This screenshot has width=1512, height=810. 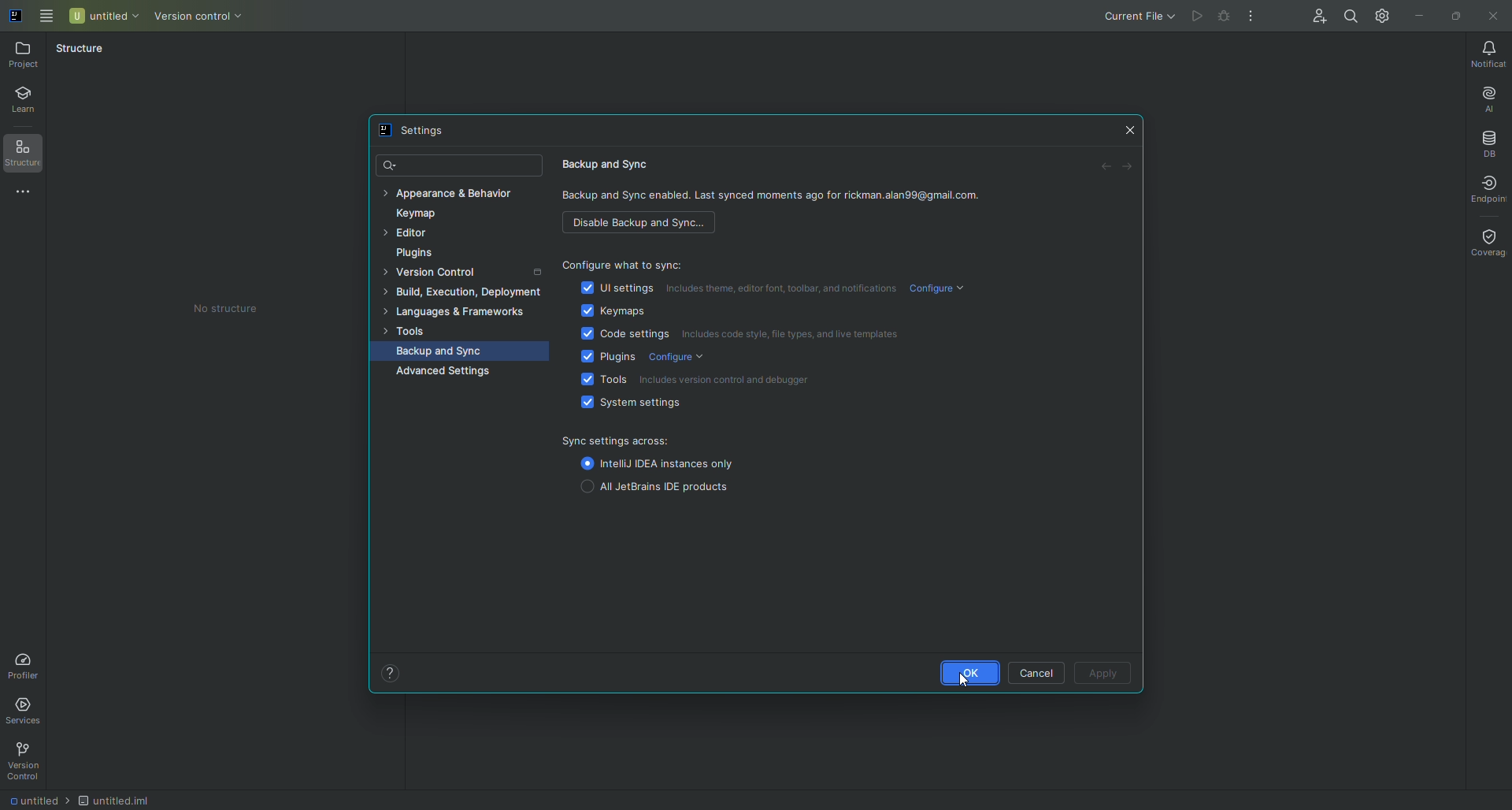 What do you see at coordinates (18, 13) in the screenshot?
I see `` at bounding box center [18, 13].